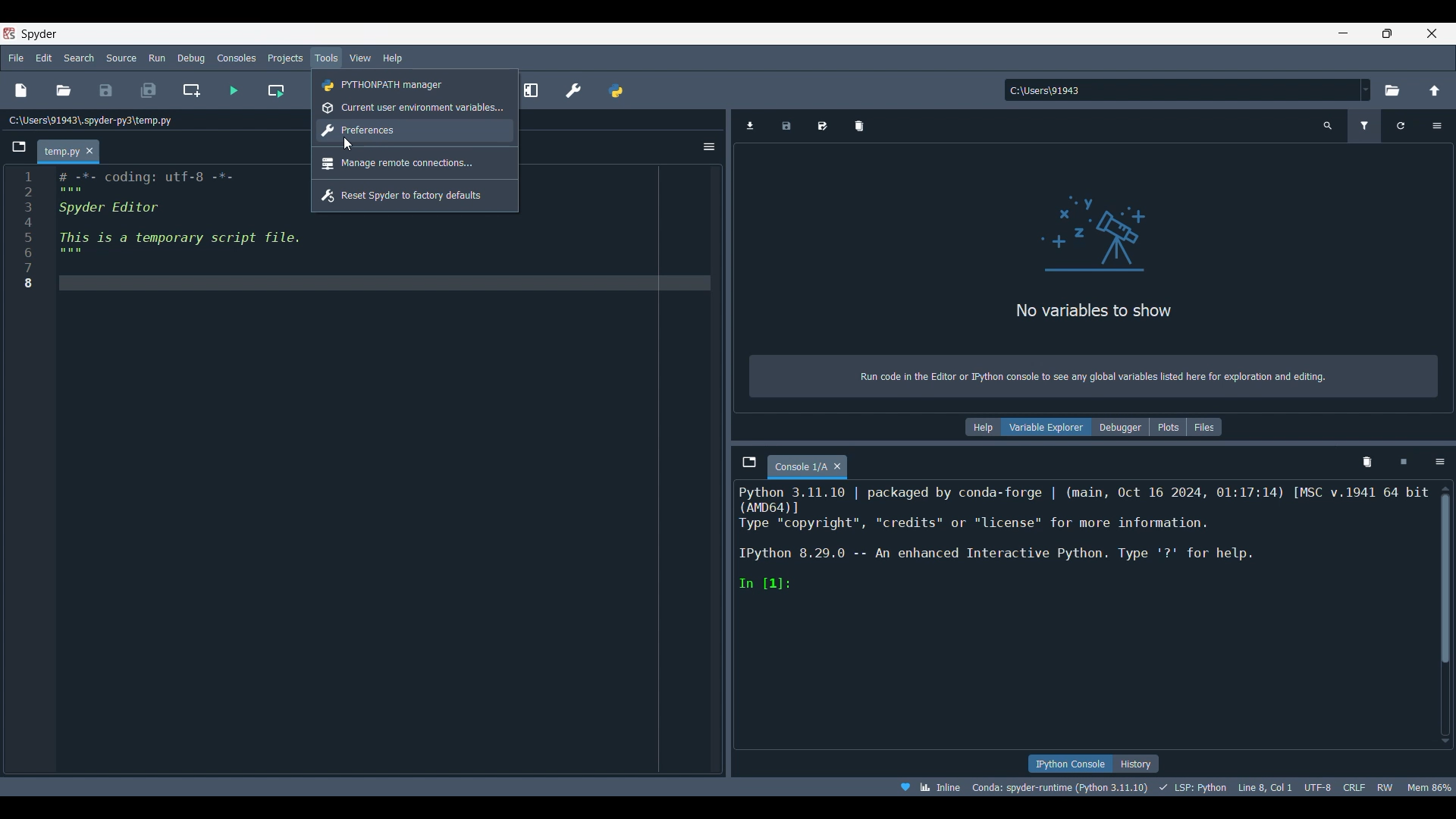 The width and height of the screenshot is (1456, 819). Describe the element at coordinates (1354, 786) in the screenshot. I see `crlf` at that location.